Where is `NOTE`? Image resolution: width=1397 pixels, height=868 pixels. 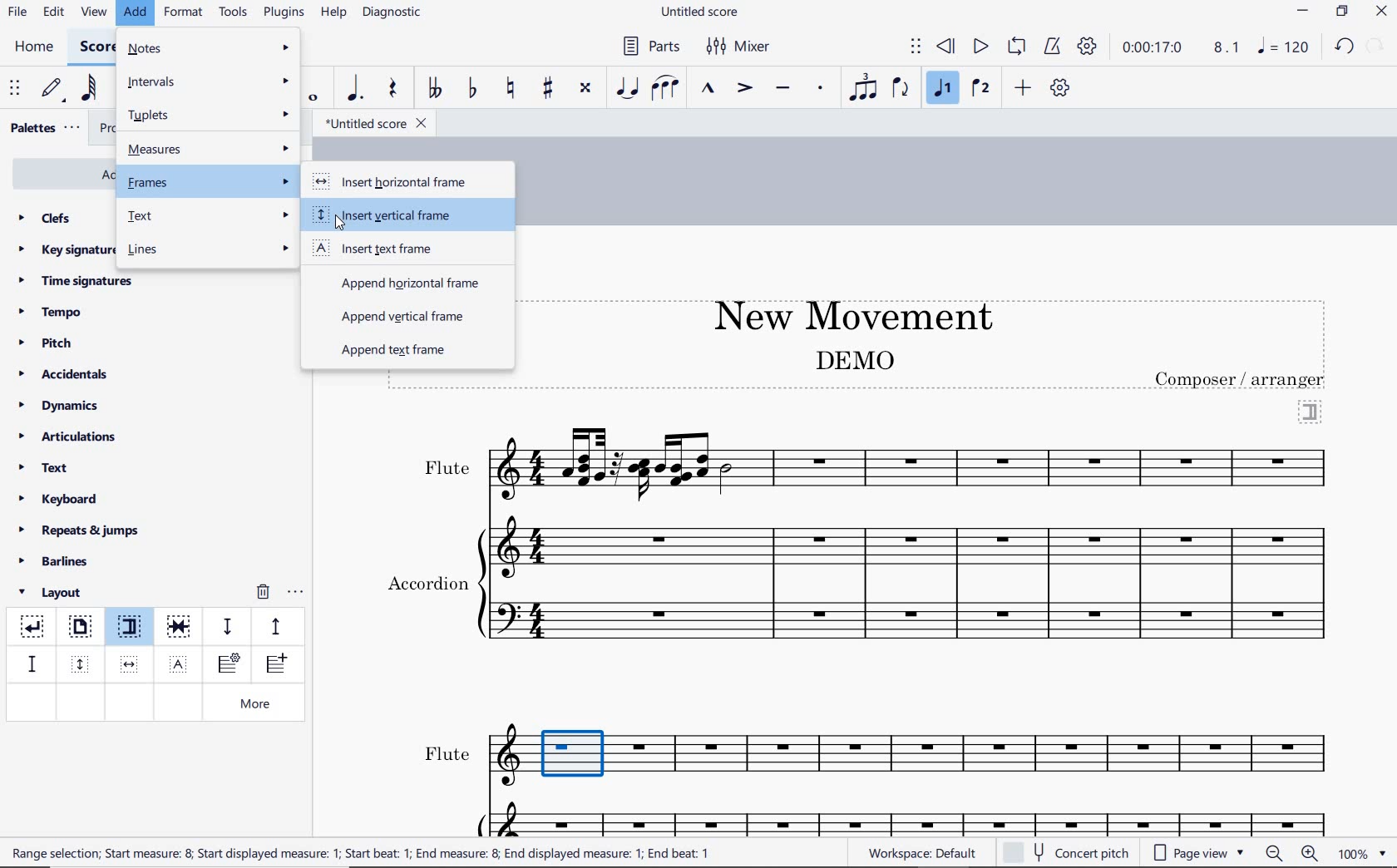
NOTE is located at coordinates (1285, 47).